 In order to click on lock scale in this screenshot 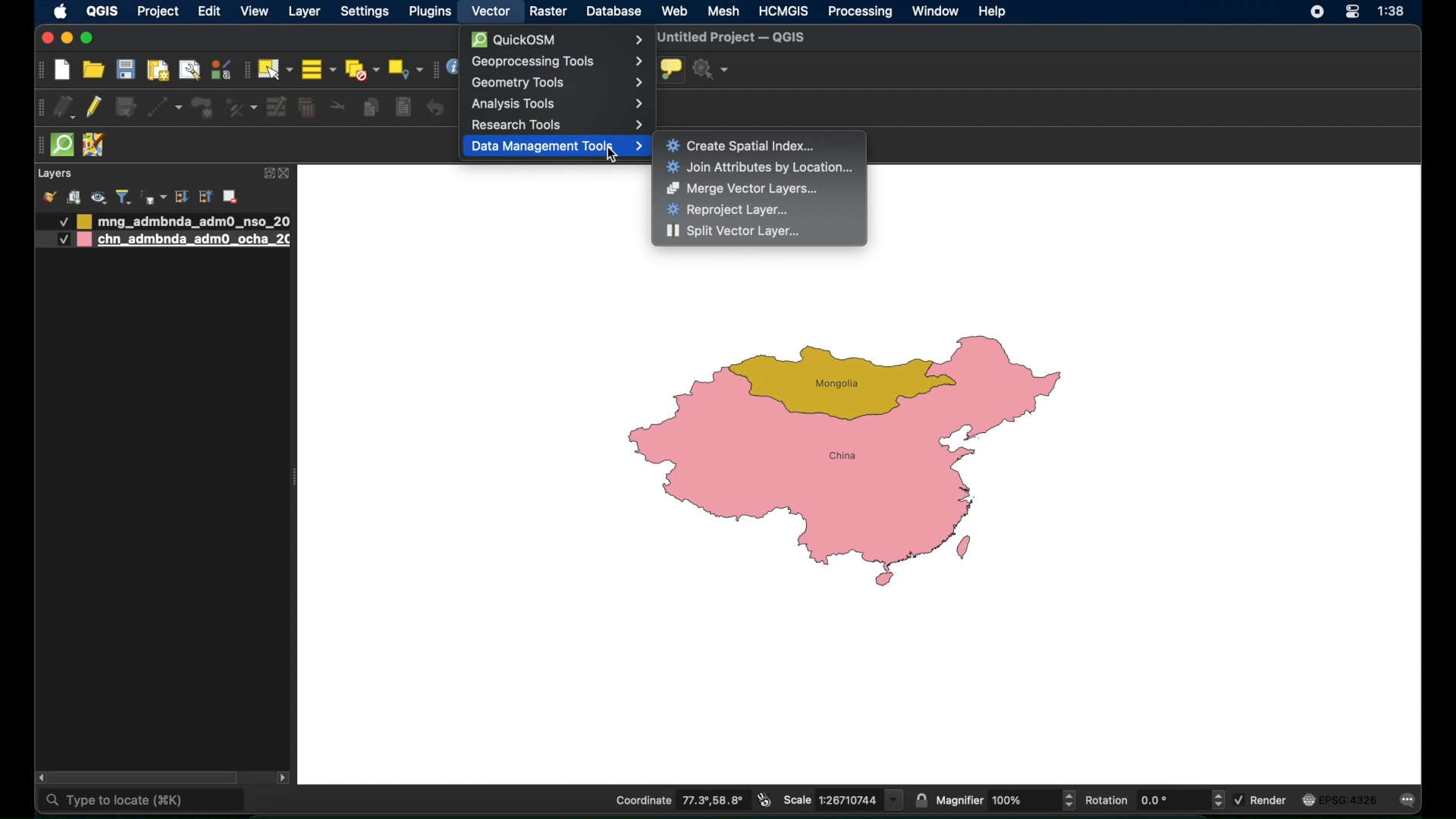, I will do `click(923, 799)`.